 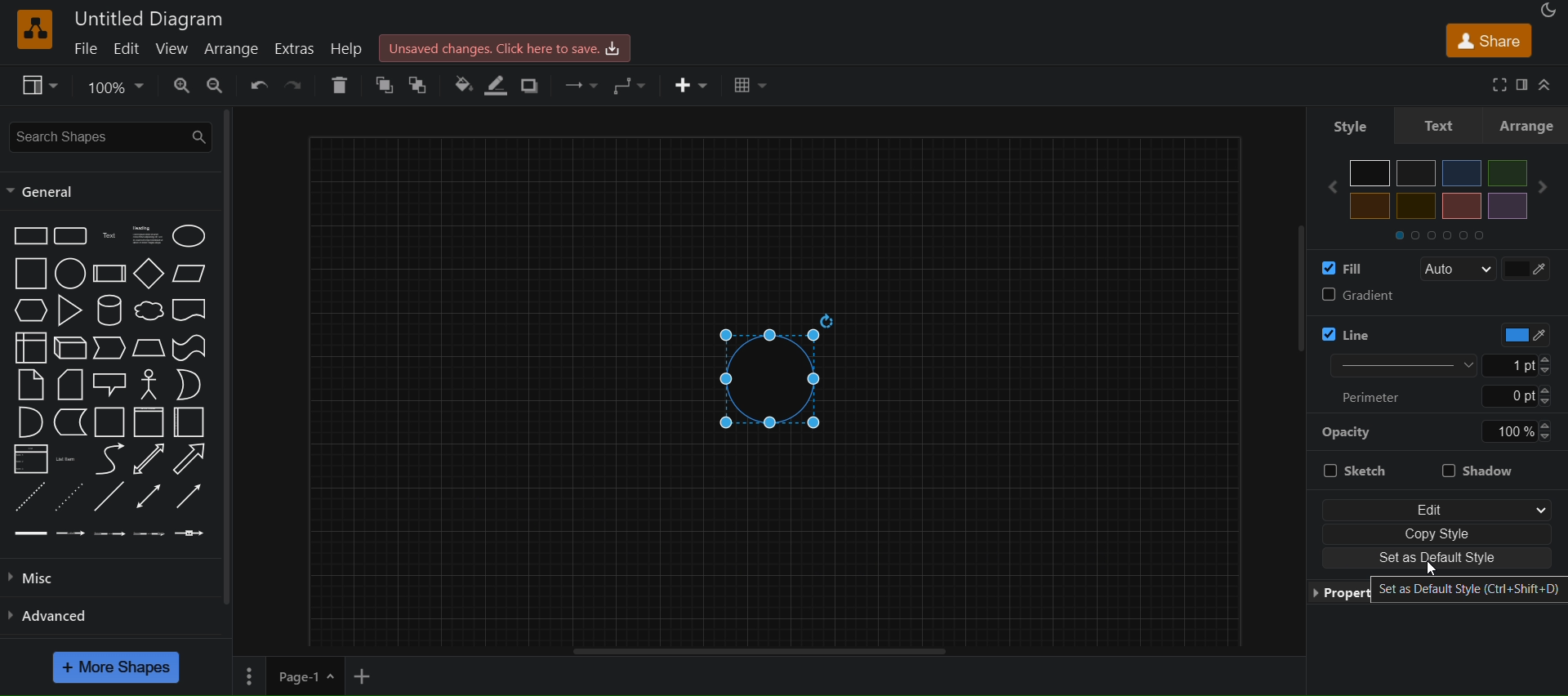 I want to click on shadow, so click(x=534, y=84).